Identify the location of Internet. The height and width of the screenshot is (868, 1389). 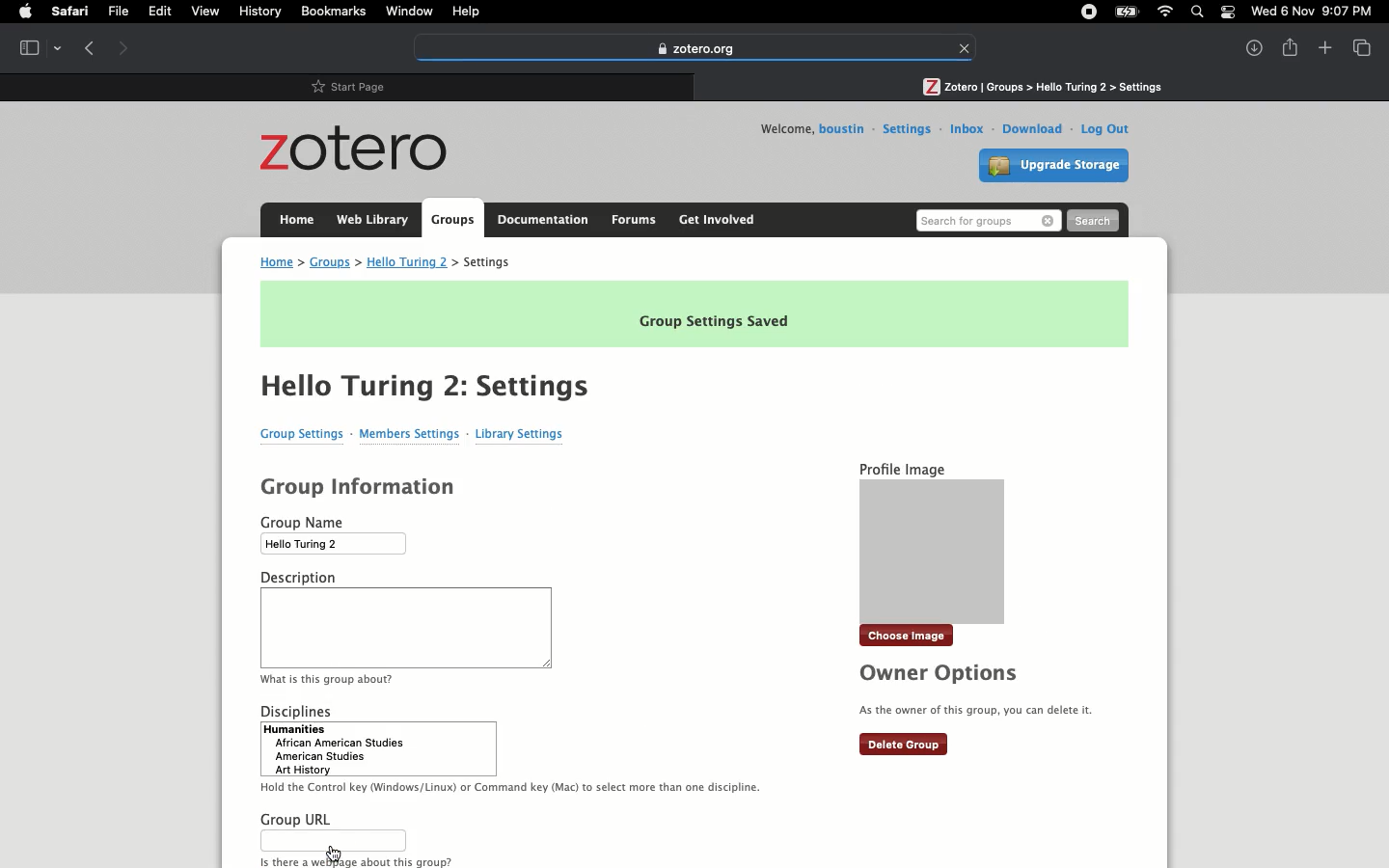
(1163, 13).